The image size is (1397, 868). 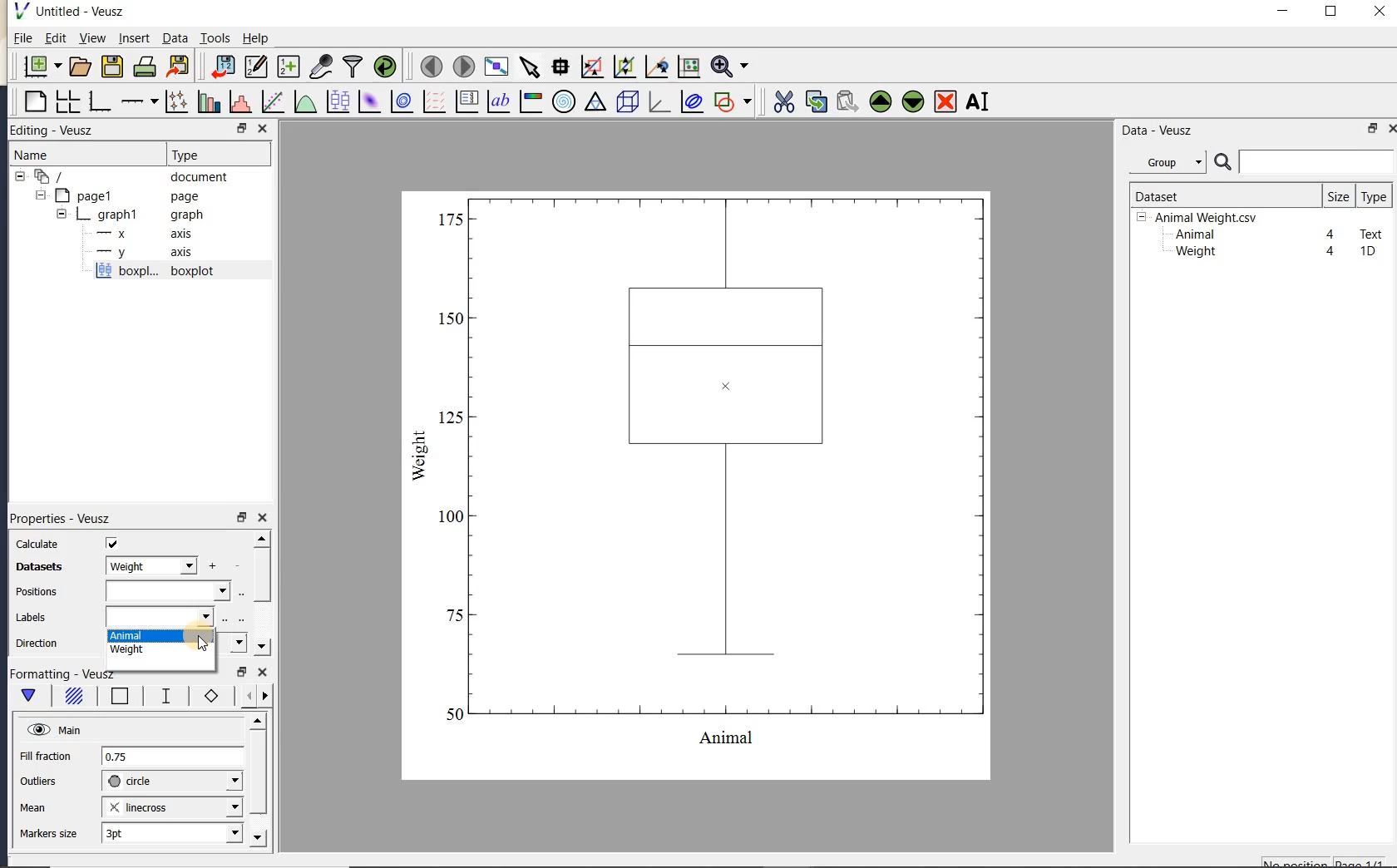 What do you see at coordinates (944, 103) in the screenshot?
I see `remove the selected widget` at bounding box center [944, 103].